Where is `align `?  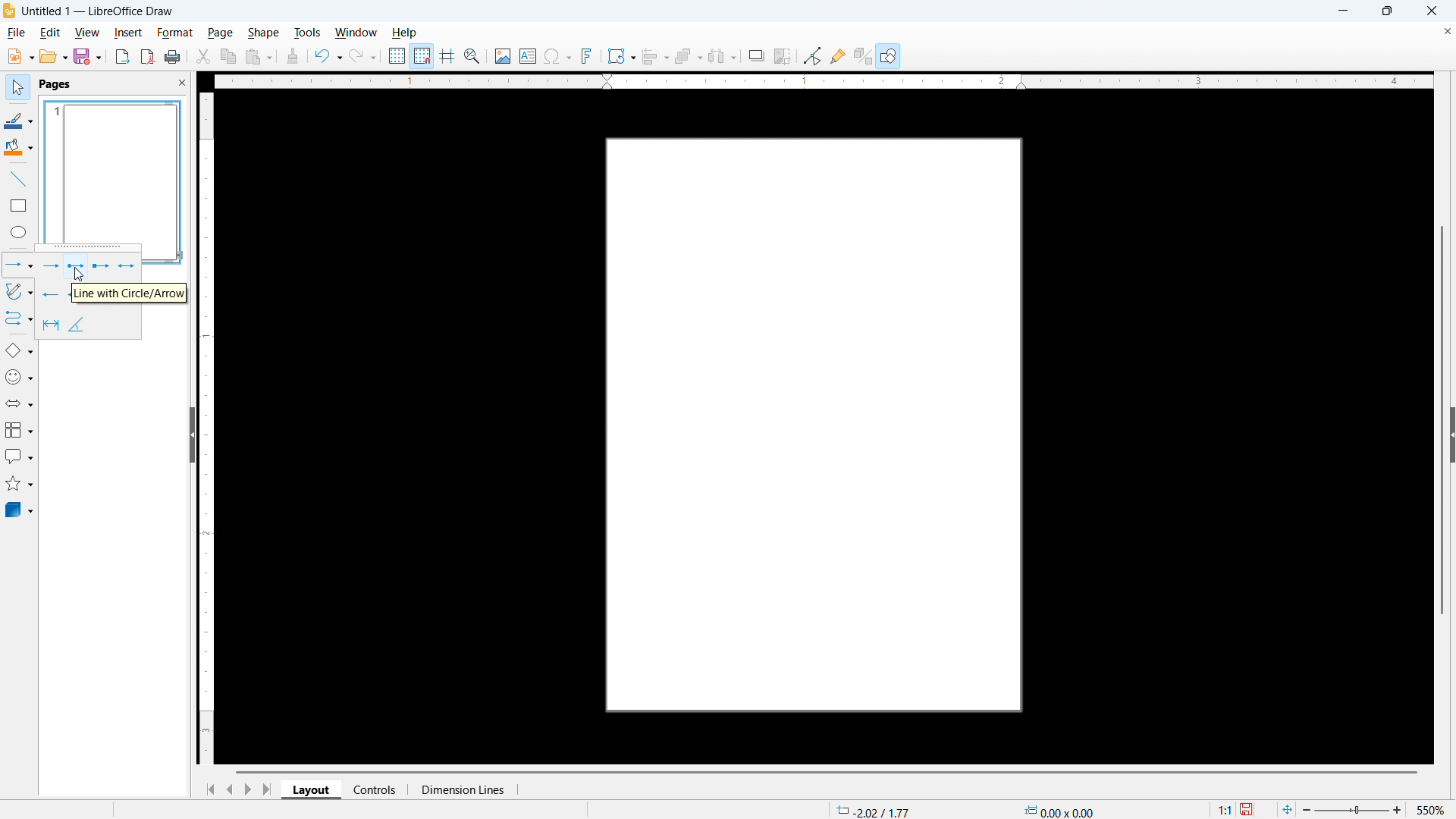 align  is located at coordinates (656, 57).